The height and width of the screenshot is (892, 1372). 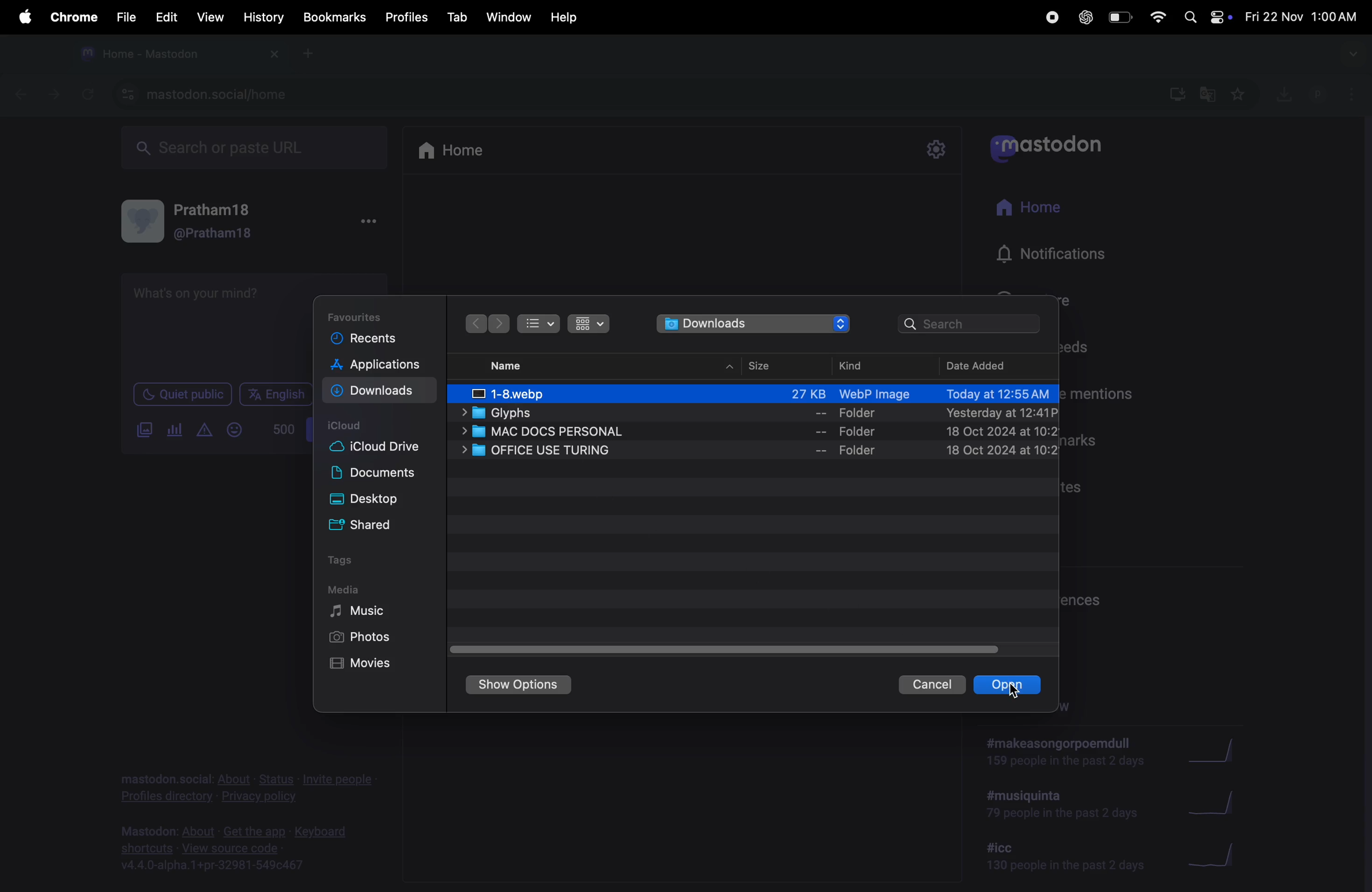 What do you see at coordinates (937, 149) in the screenshot?
I see `settings` at bounding box center [937, 149].